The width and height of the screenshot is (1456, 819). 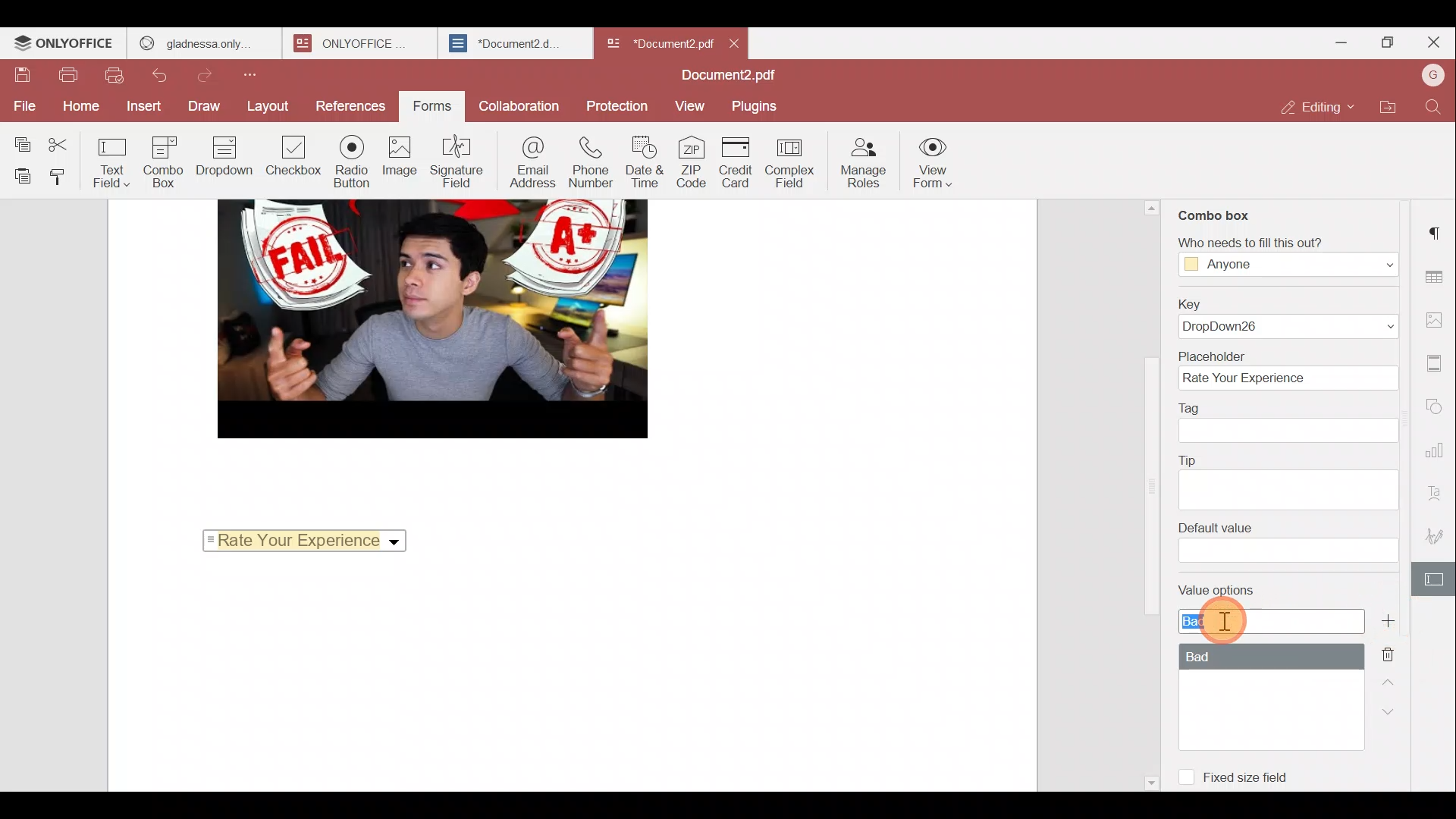 I want to click on ONLYOFFICE, so click(x=64, y=45).